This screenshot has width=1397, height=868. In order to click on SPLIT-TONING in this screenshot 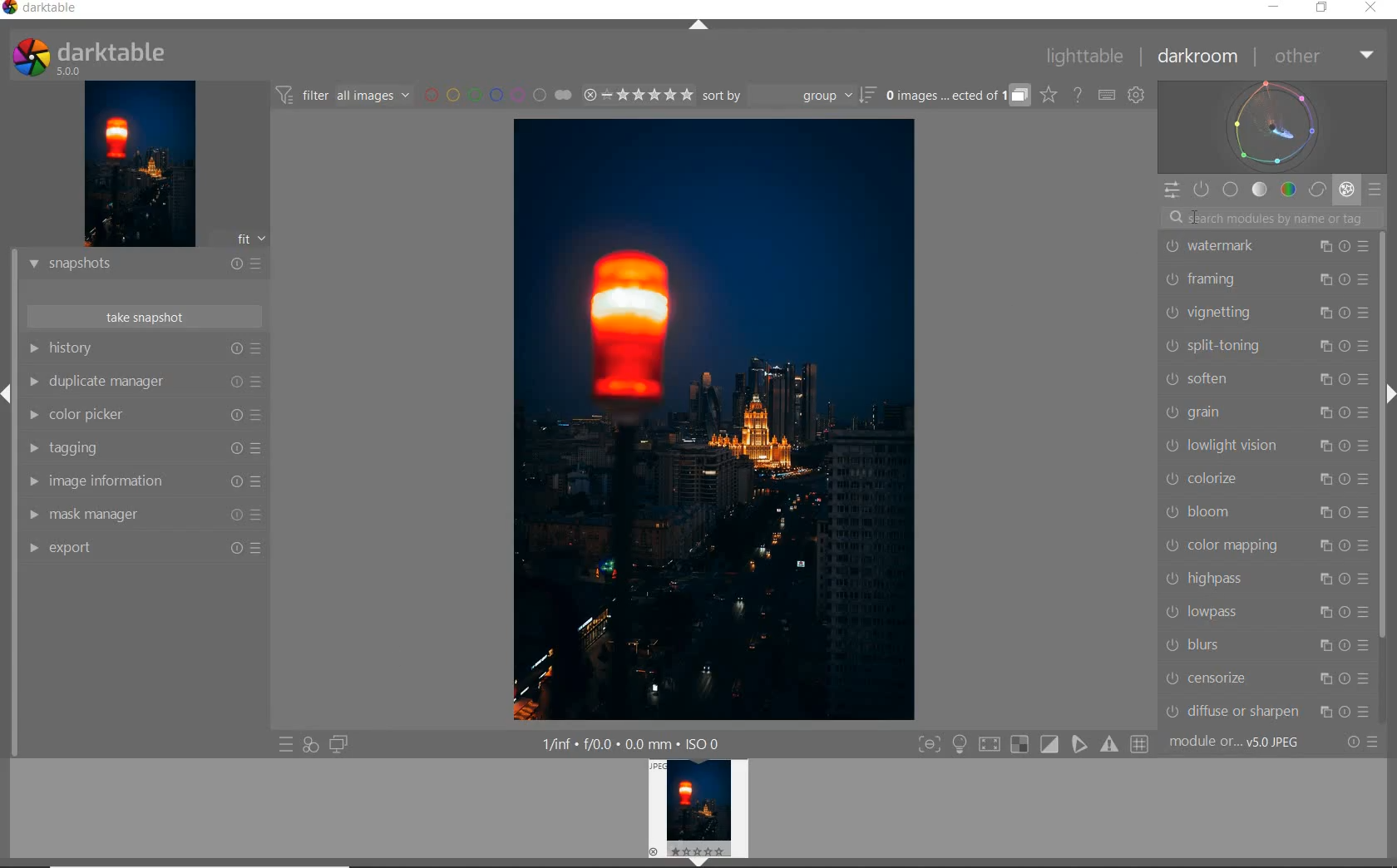, I will do `click(1224, 348)`.